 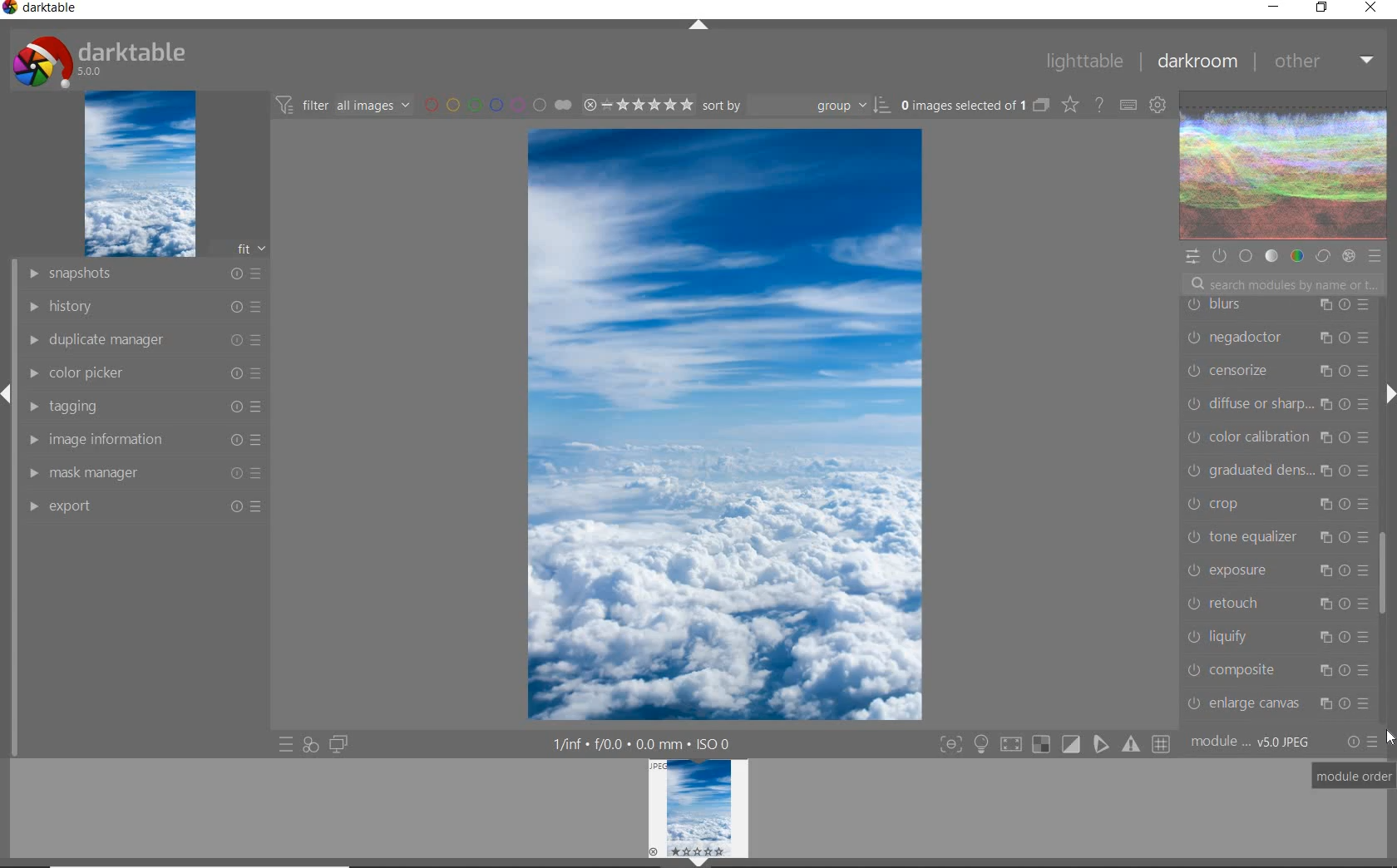 What do you see at coordinates (148, 406) in the screenshot?
I see `TAGGING` at bounding box center [148, 406].